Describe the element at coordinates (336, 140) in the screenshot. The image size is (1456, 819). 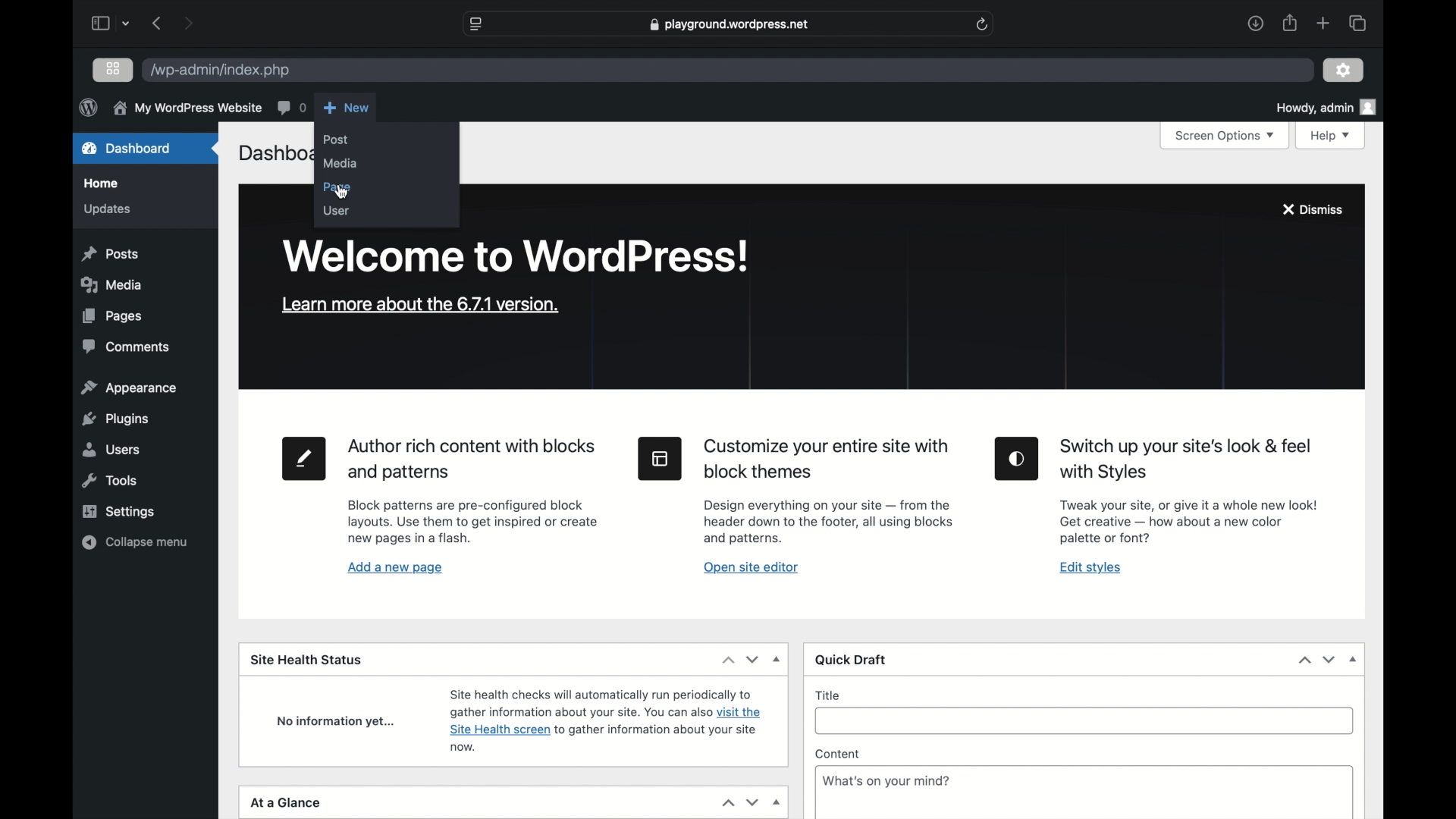
I see `post` at that location.